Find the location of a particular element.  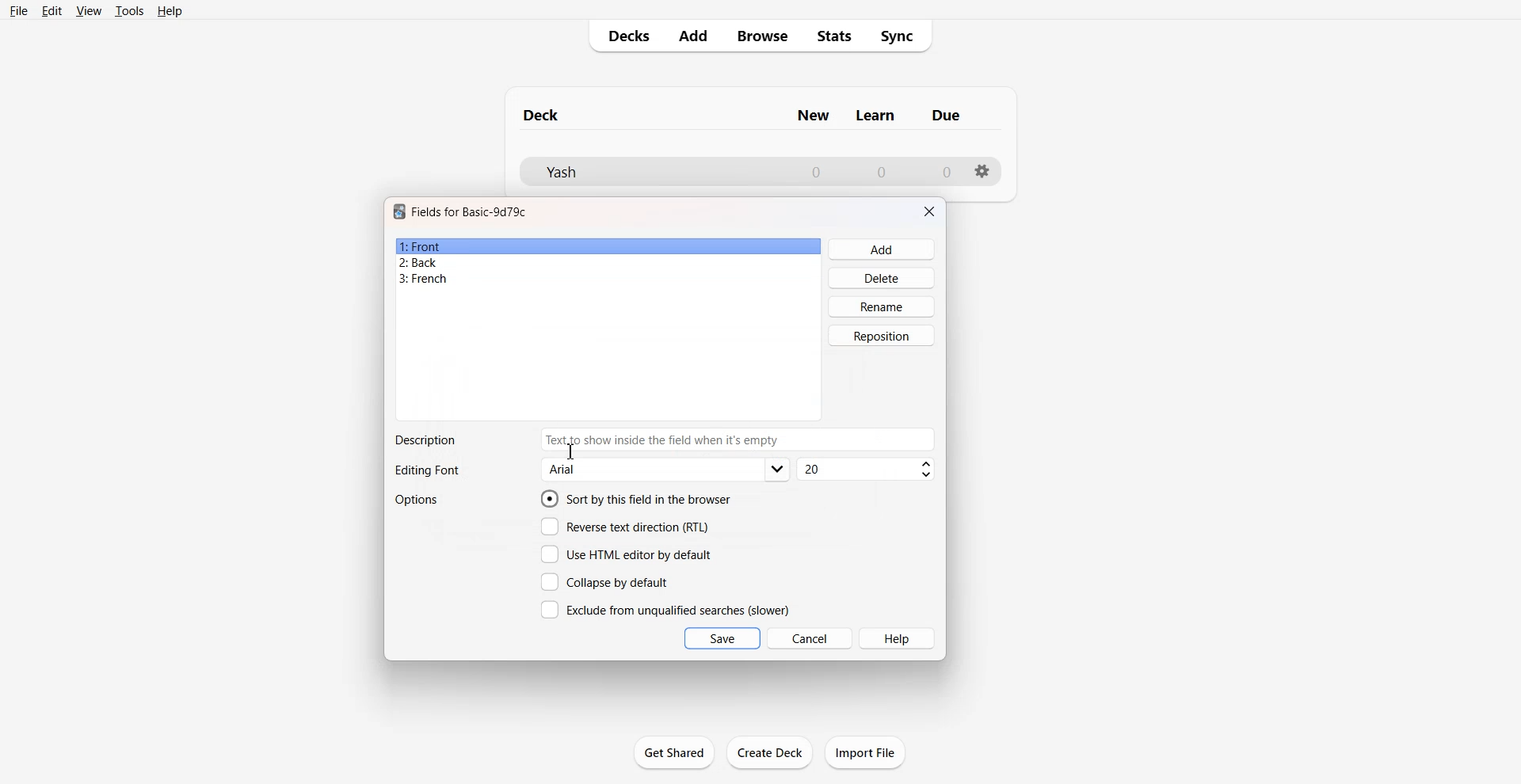

Collapse by default is located at coordinates (608, 581).